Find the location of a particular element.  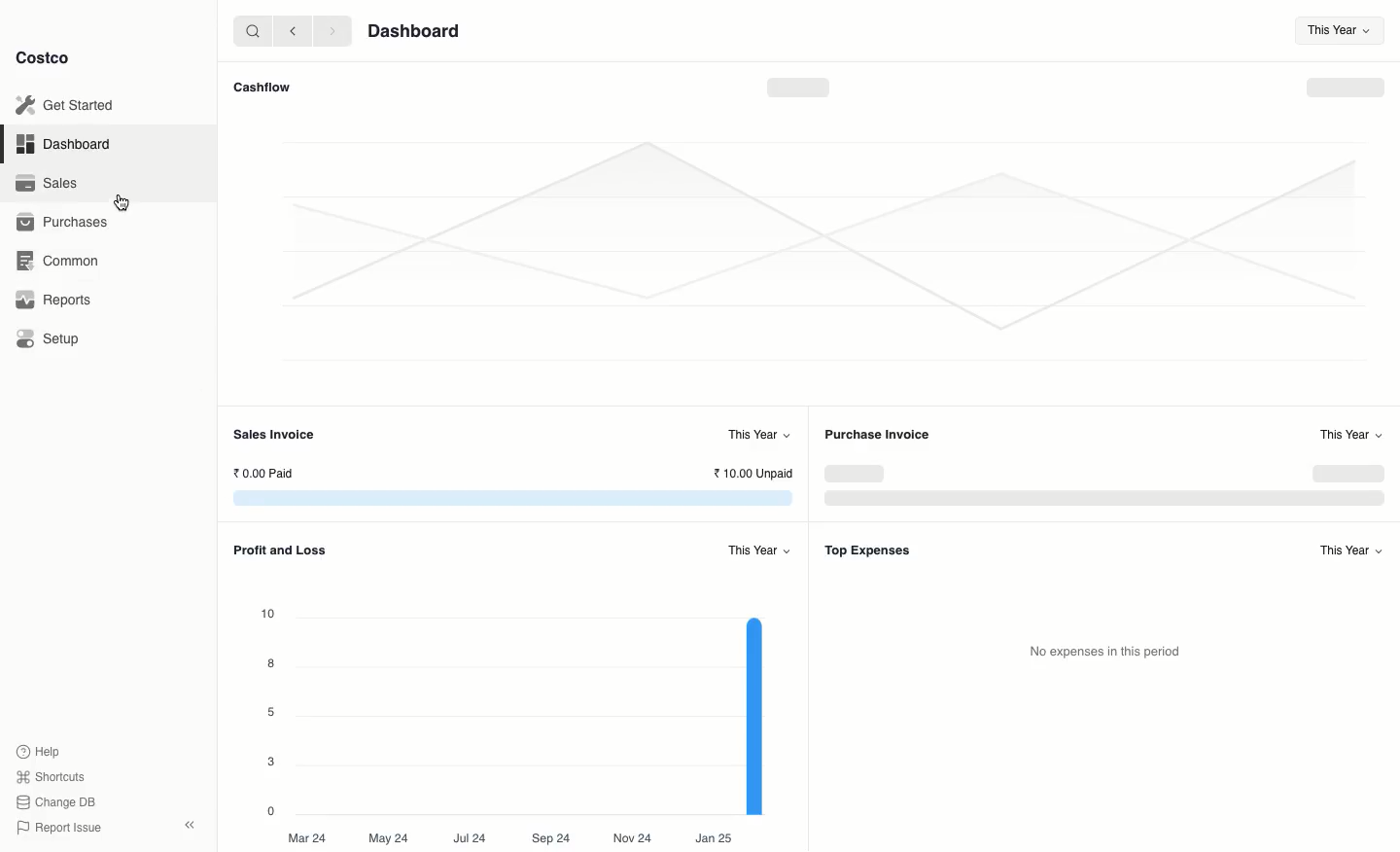

This Year is located at coordinates (755, 546).